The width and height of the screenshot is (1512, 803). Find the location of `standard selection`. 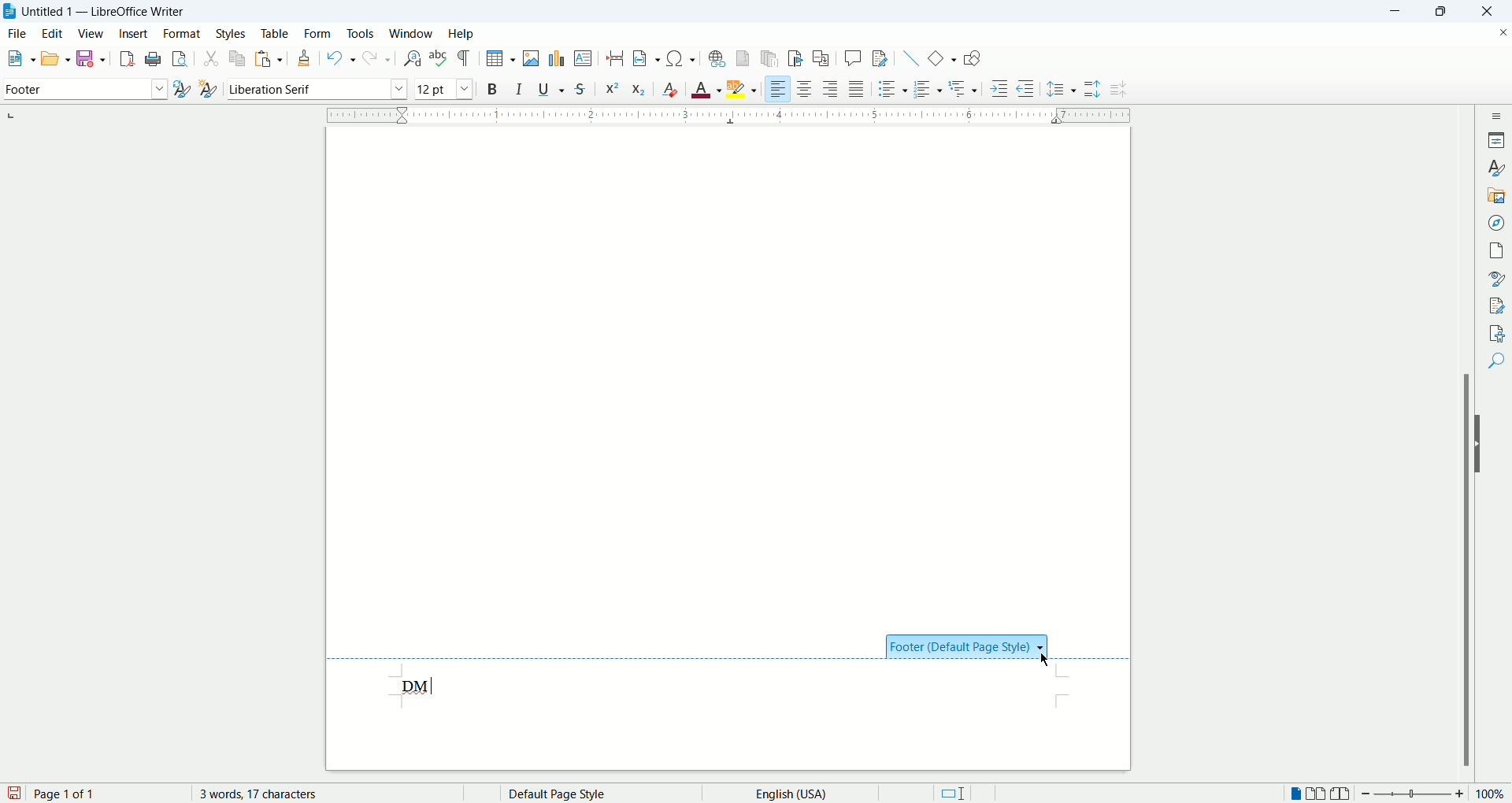

standard selection is located at coordinates (952, 794).